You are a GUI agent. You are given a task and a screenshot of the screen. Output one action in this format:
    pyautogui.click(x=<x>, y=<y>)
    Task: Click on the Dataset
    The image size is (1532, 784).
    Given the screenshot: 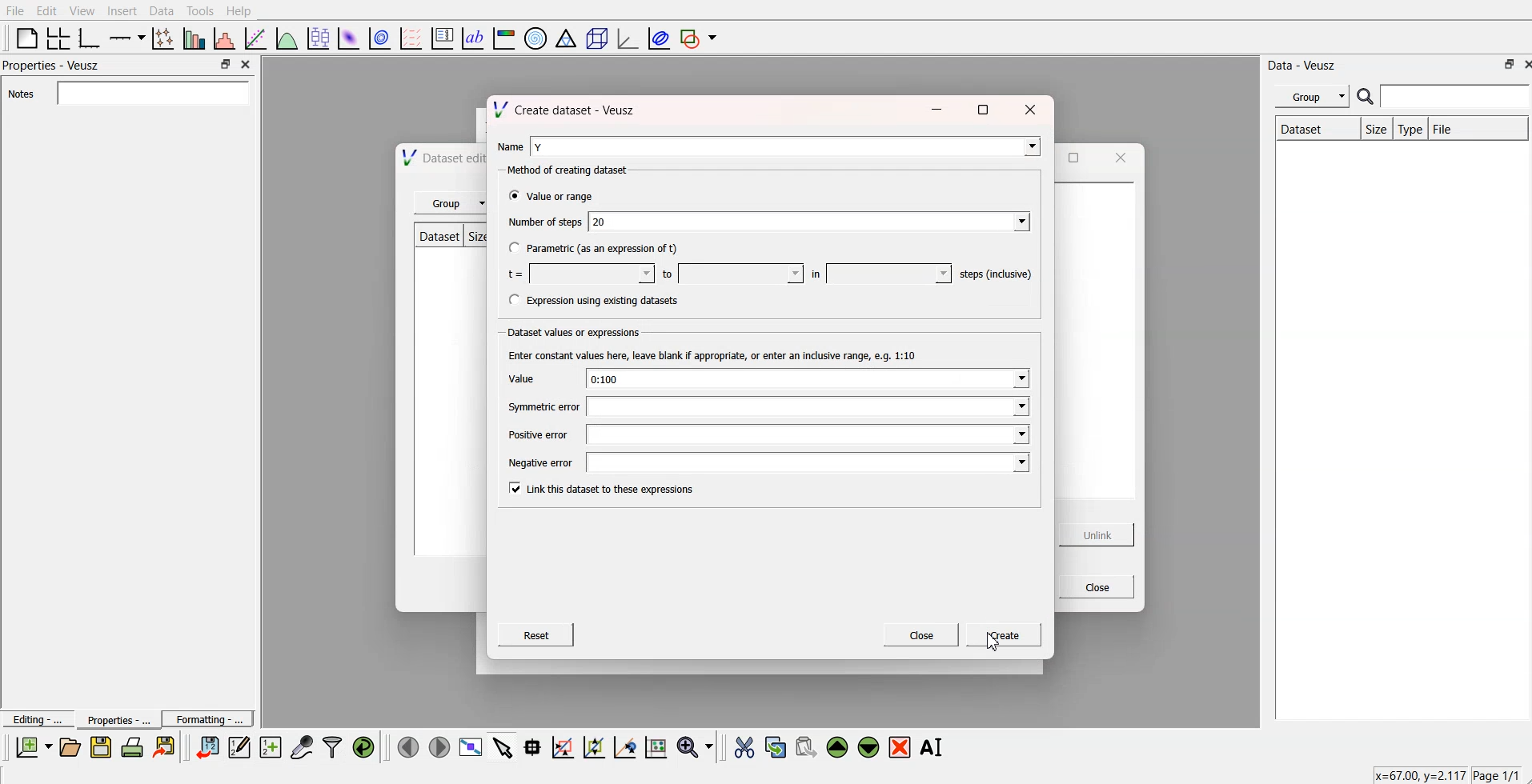 What is the action you would take?
    pyautogui.click(x=1312, y=129)
    